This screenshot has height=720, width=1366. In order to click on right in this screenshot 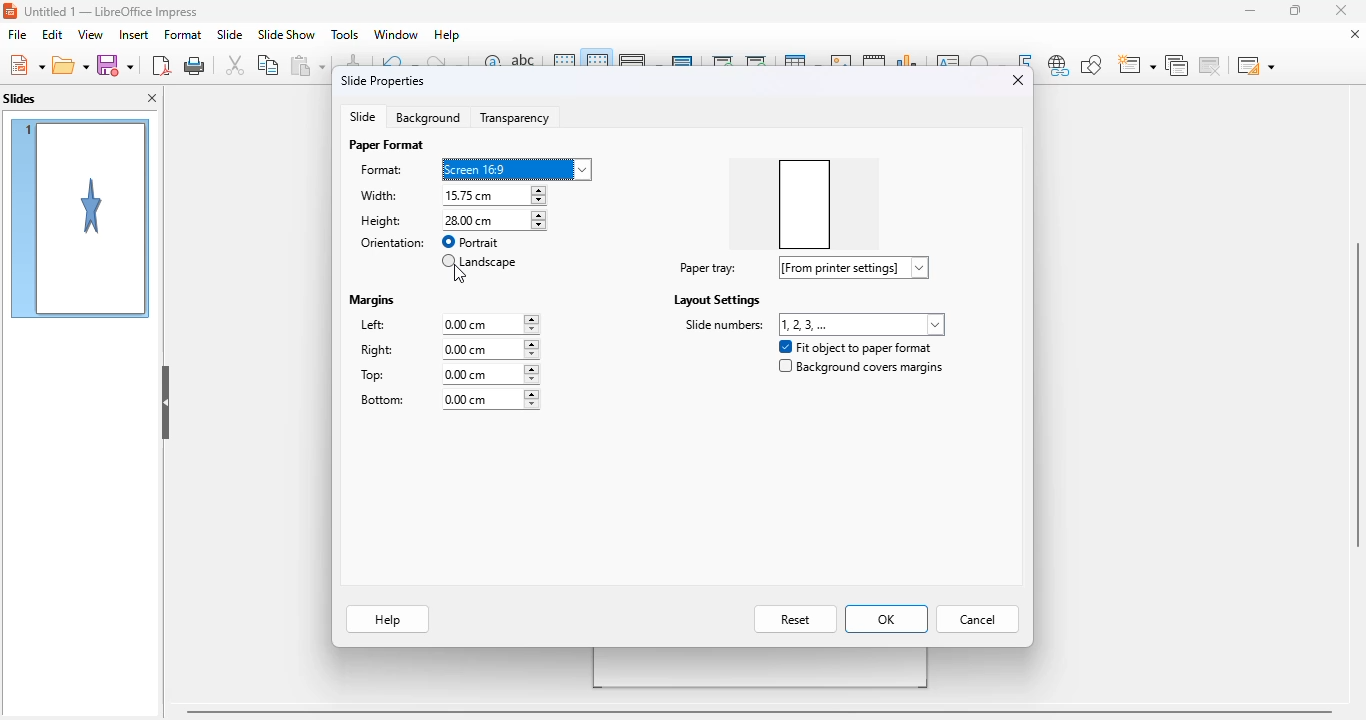, I will do `click(385, 348)`.